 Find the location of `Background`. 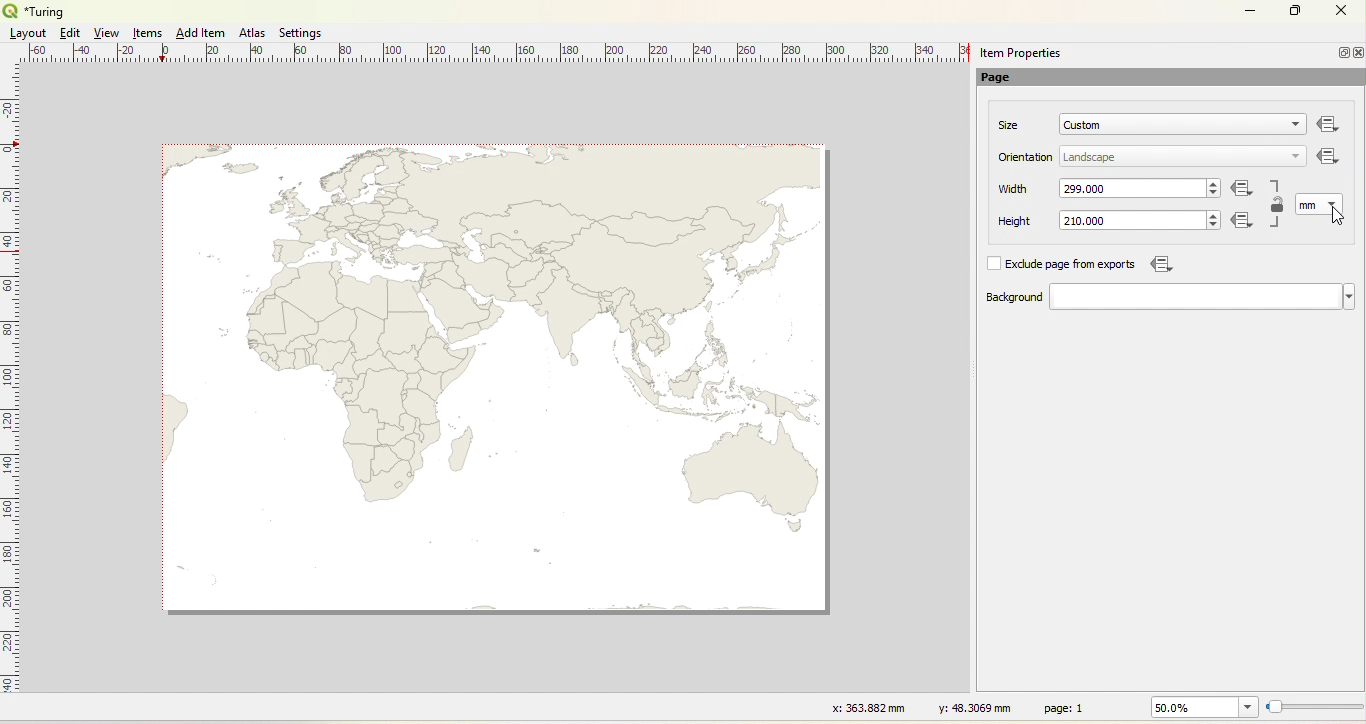

Background is located at coordinates (994, 298).